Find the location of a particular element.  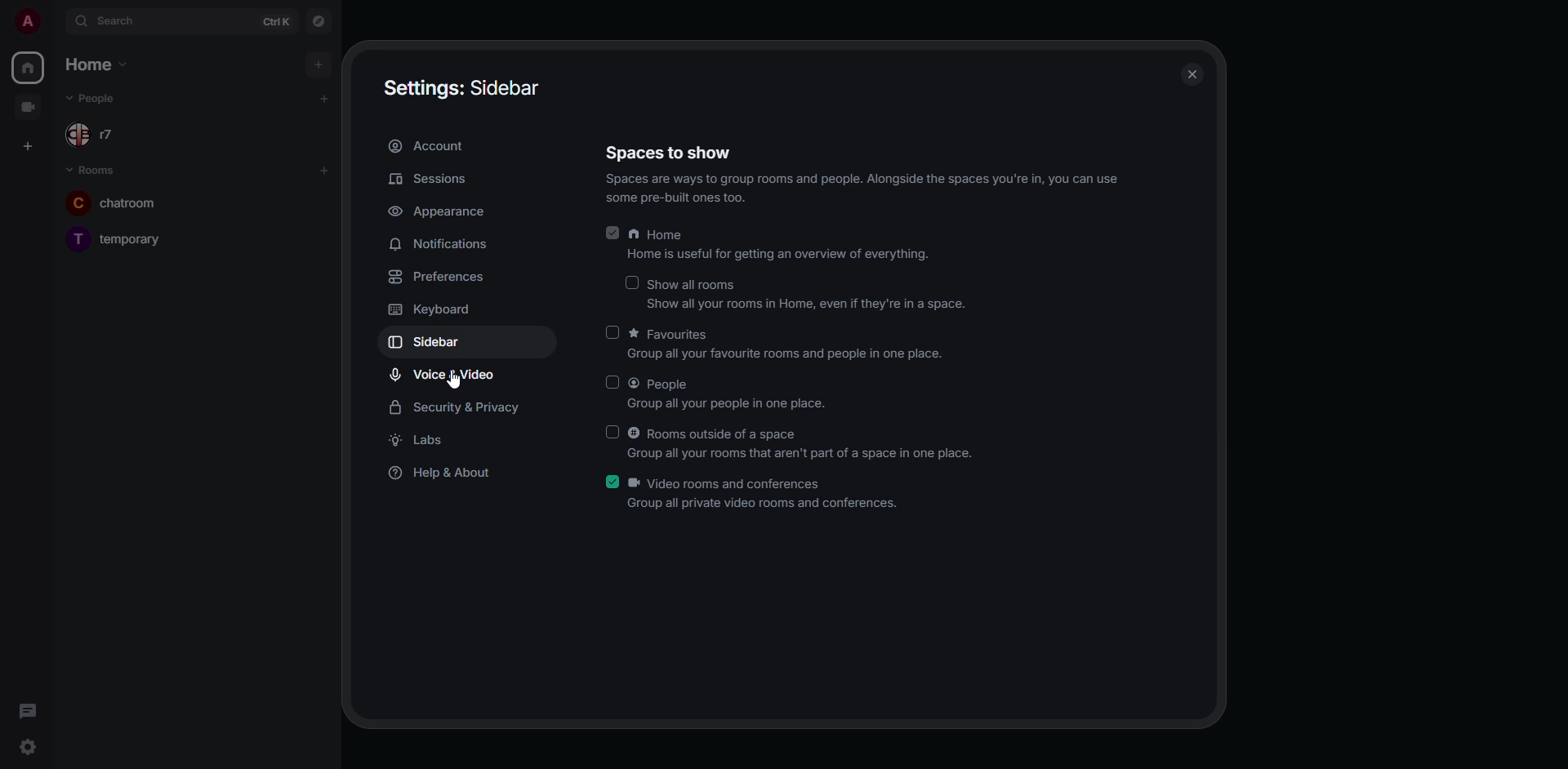

ctrl K is located at coordinates (276, 21).